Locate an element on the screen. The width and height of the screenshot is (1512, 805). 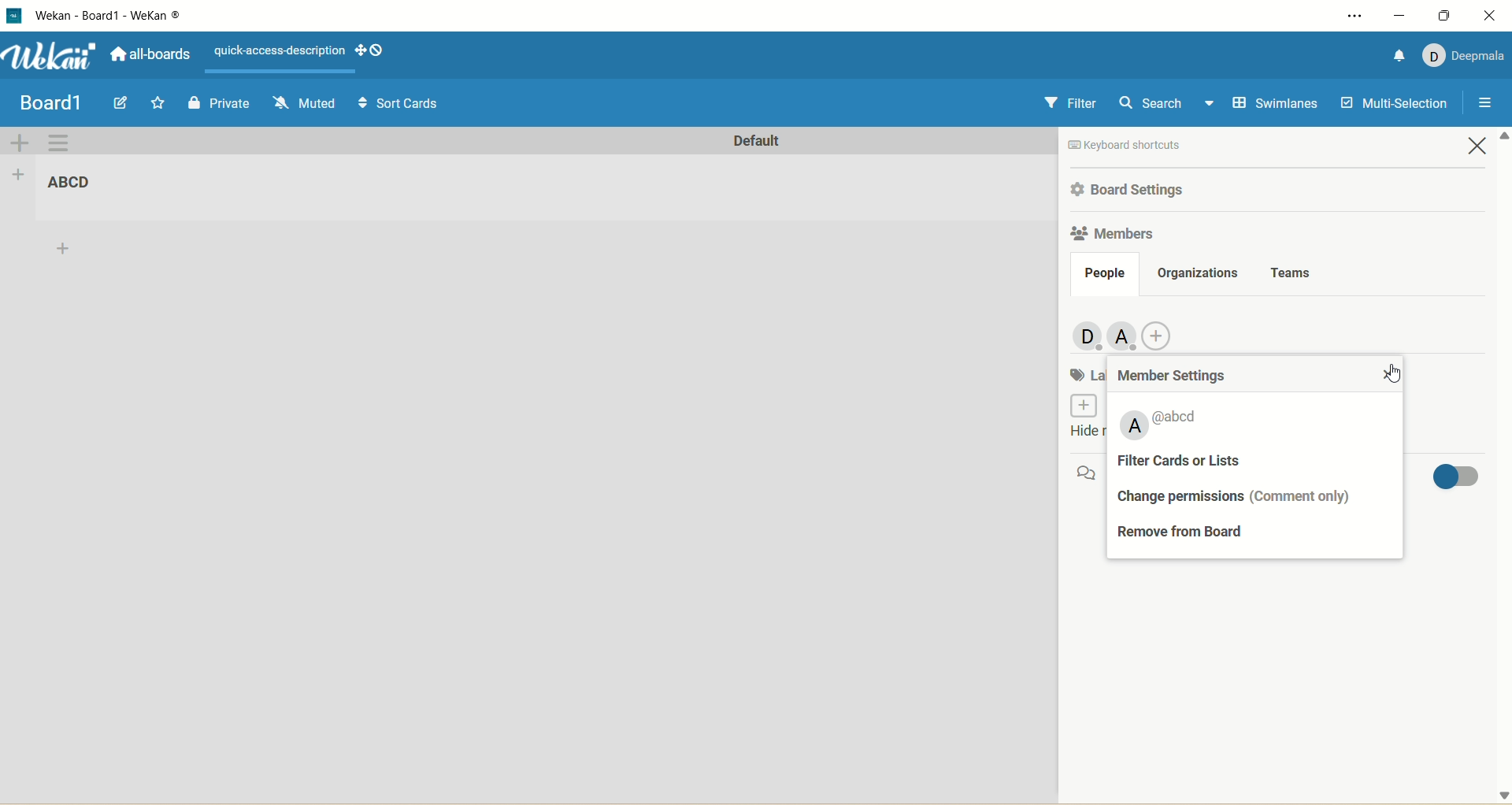
comment only is located at coordinates (1310, 497).